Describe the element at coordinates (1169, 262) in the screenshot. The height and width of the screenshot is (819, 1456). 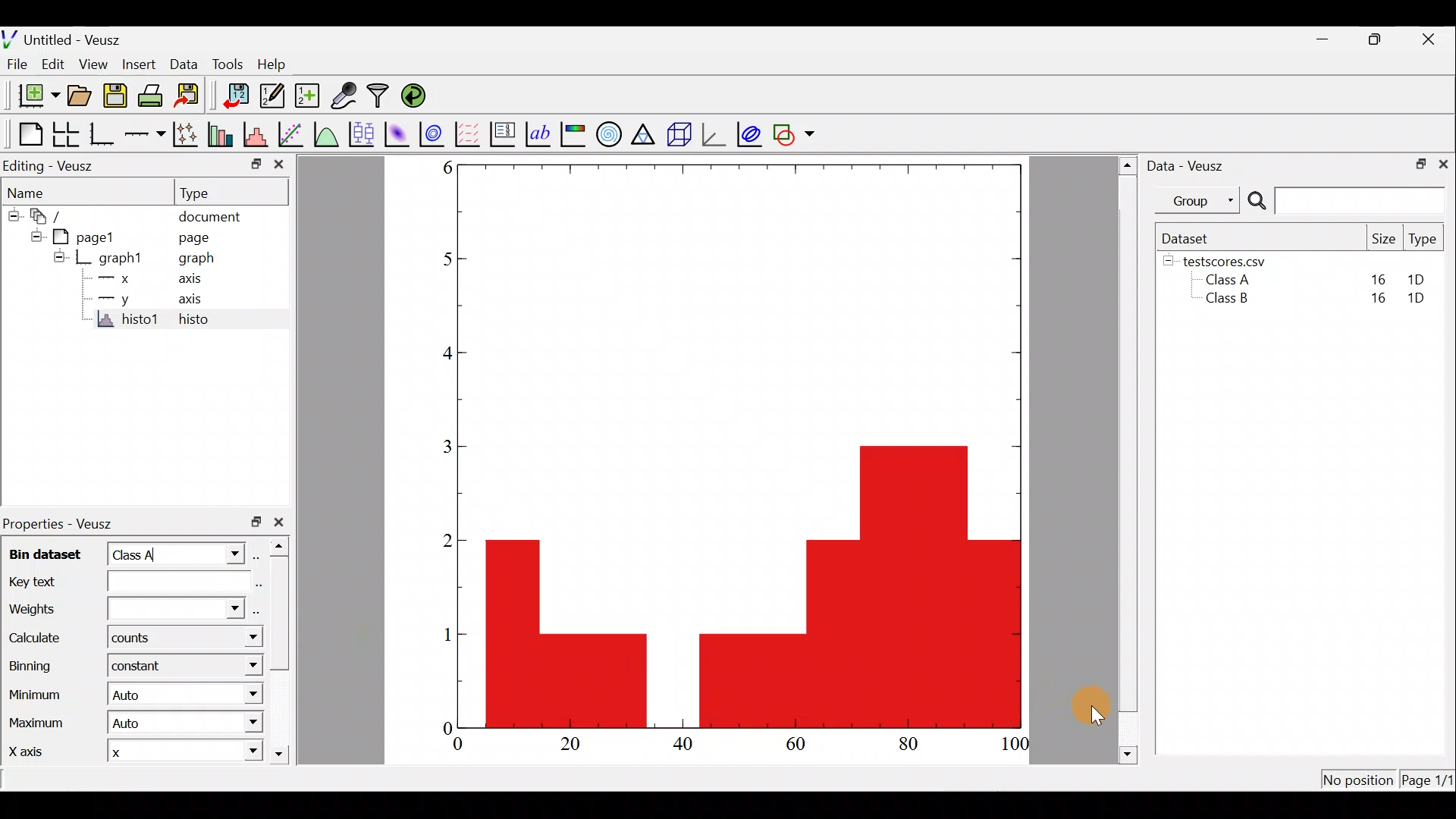
I see `hide` at that location.